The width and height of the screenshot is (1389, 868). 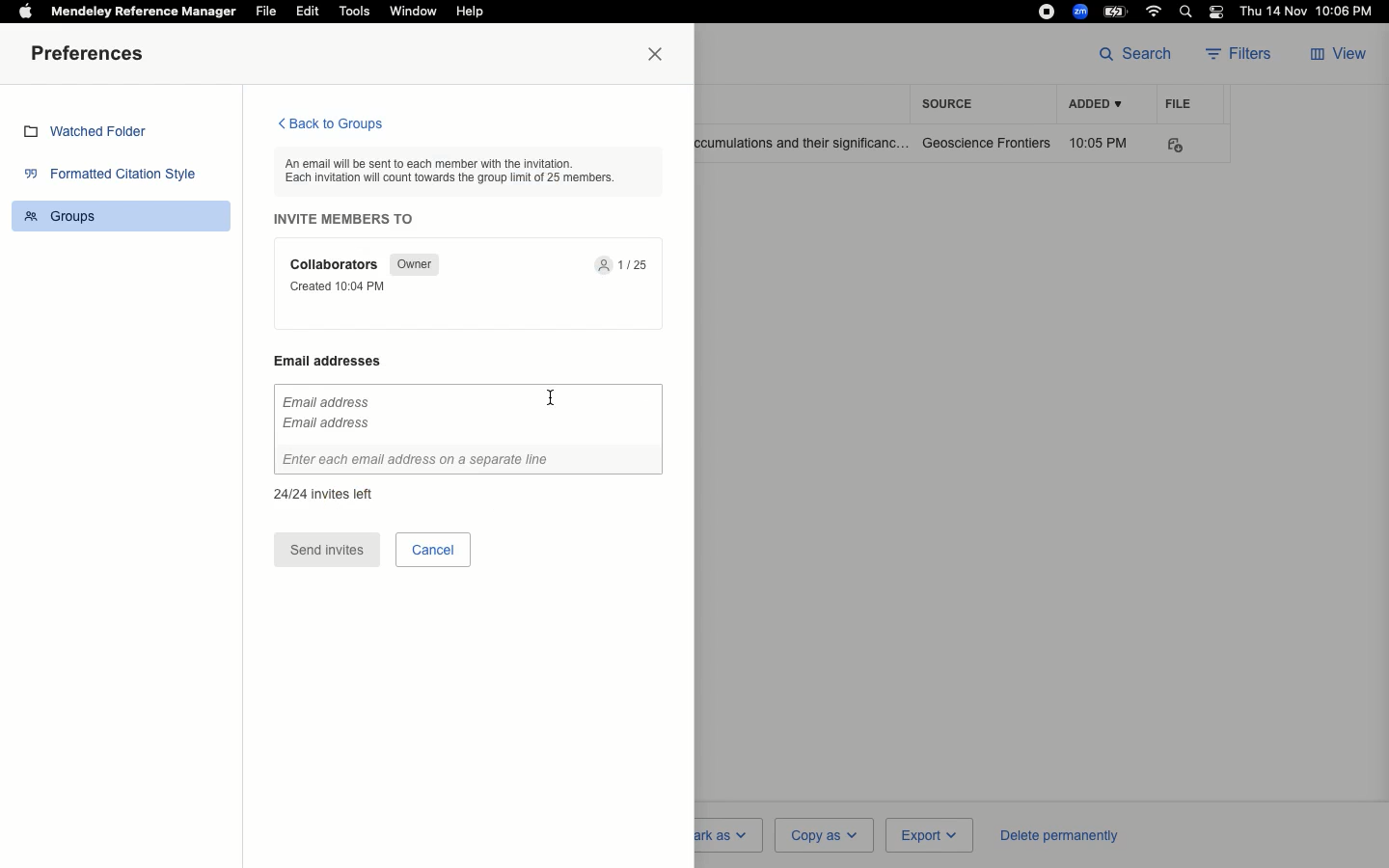 What do you see at coordinates (323, 492) in the screenshot?
I see `24/24 invites left` at bounding box center [323, 492].